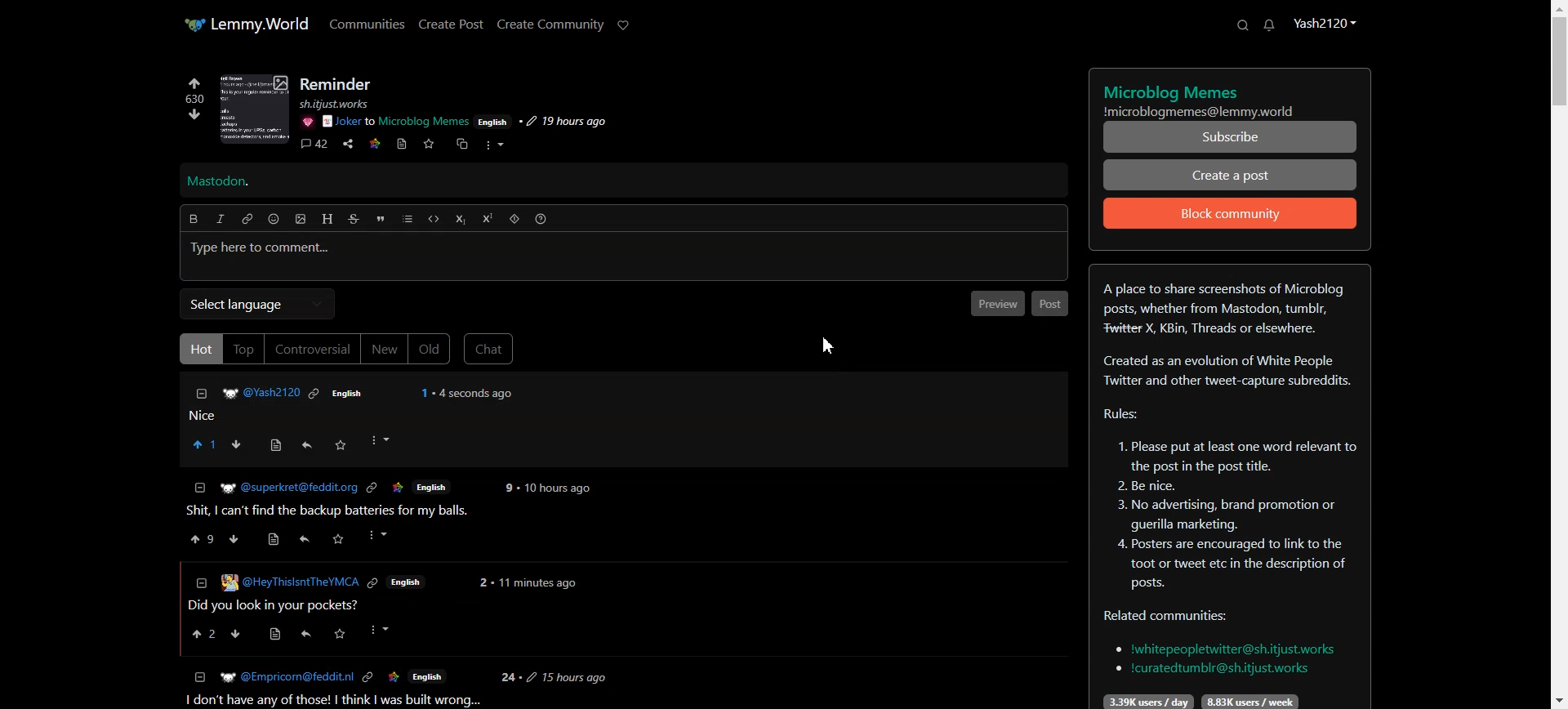  What do you see at coordinates (331, 512) in the screenshot?
I see `Shit, | cant find the backup batteries for my balls.` at bounding box center [331, 512].